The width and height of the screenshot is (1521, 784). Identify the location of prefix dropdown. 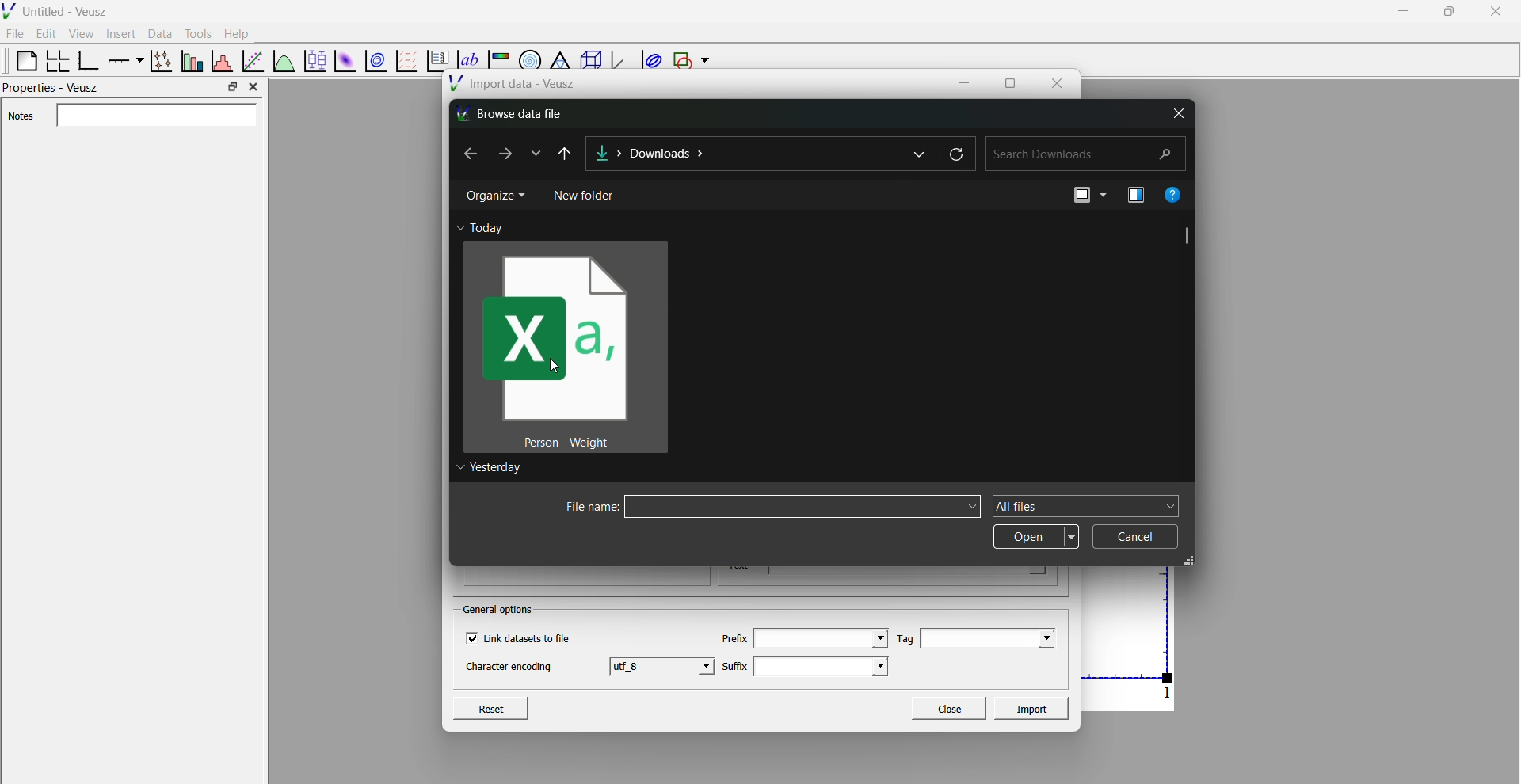
(821, 637).